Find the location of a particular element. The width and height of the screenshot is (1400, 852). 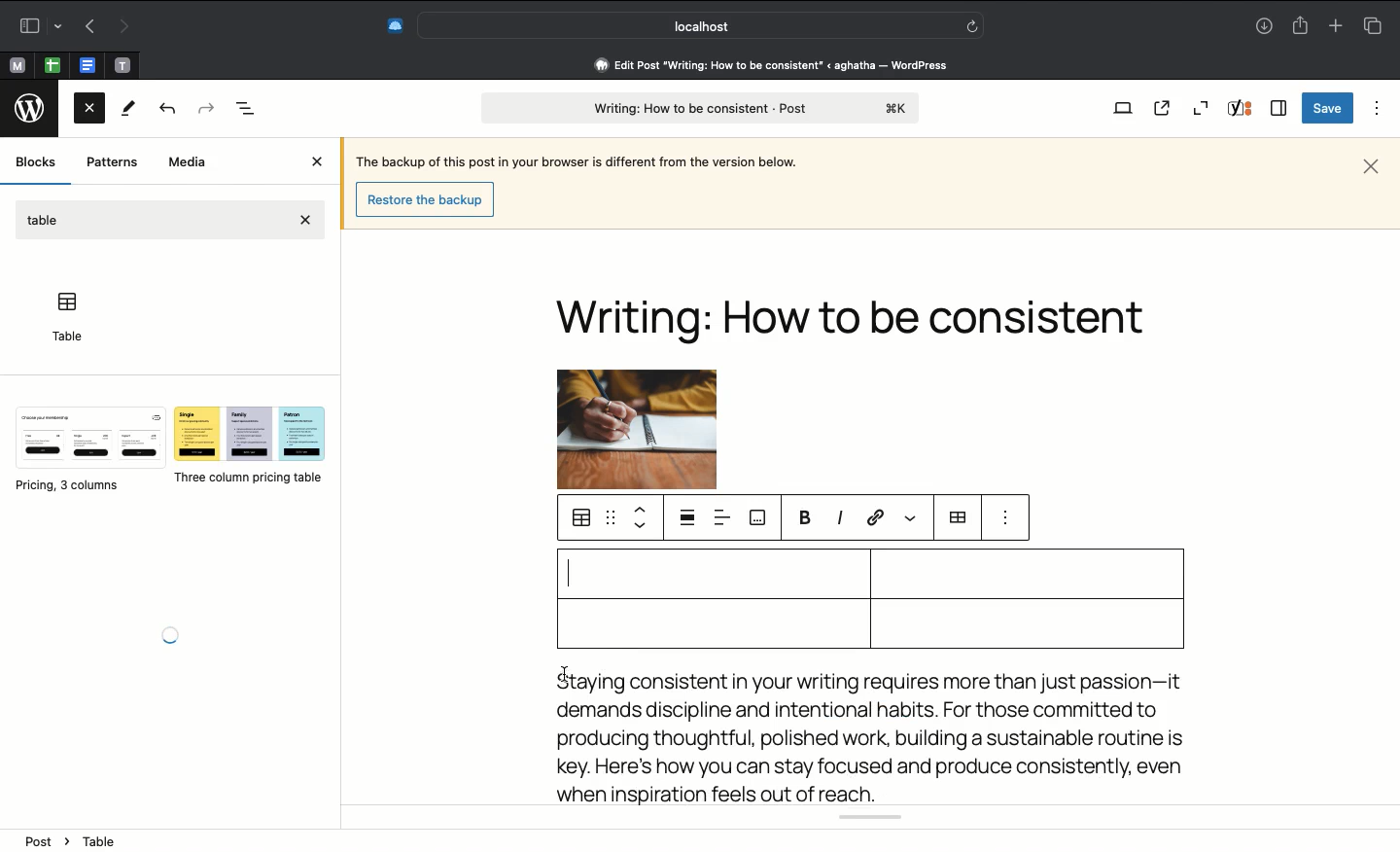

Move up move down is located at coordinates (642, 518).